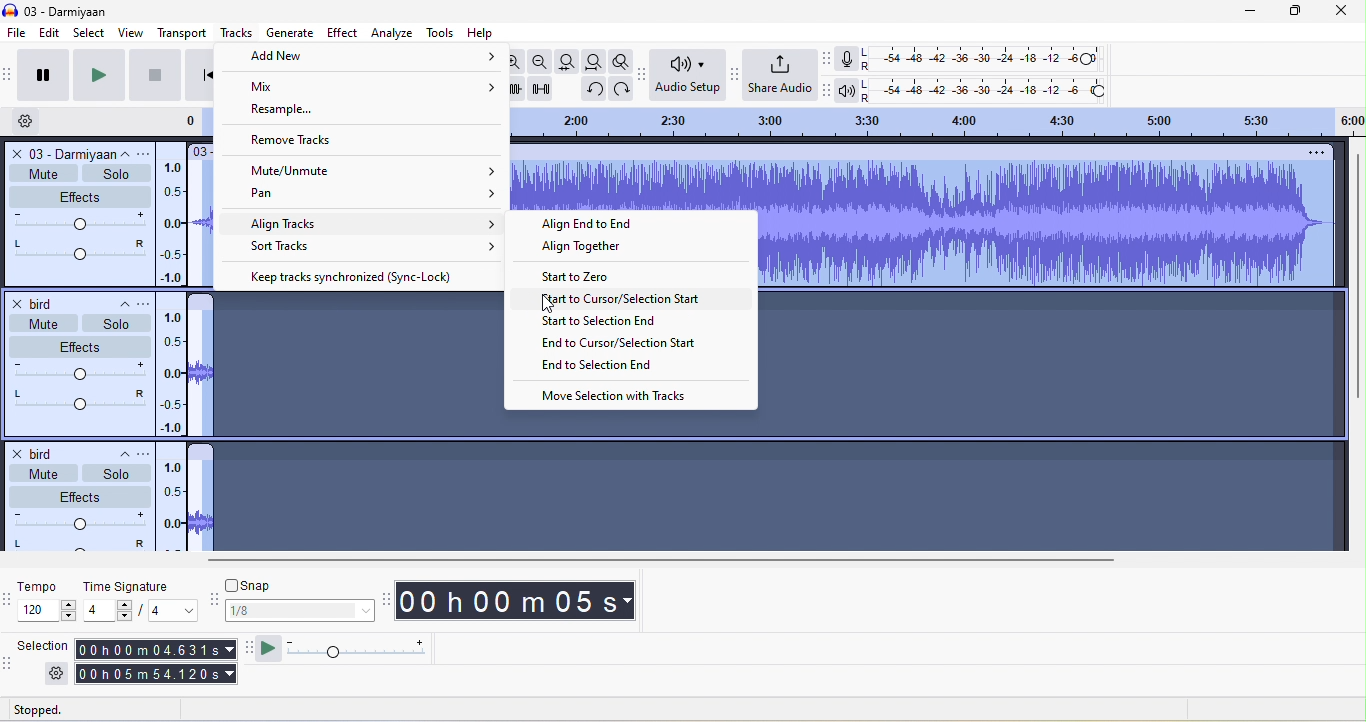 The image size is (1366, 722). I want to click on pan, so click(368, 199).